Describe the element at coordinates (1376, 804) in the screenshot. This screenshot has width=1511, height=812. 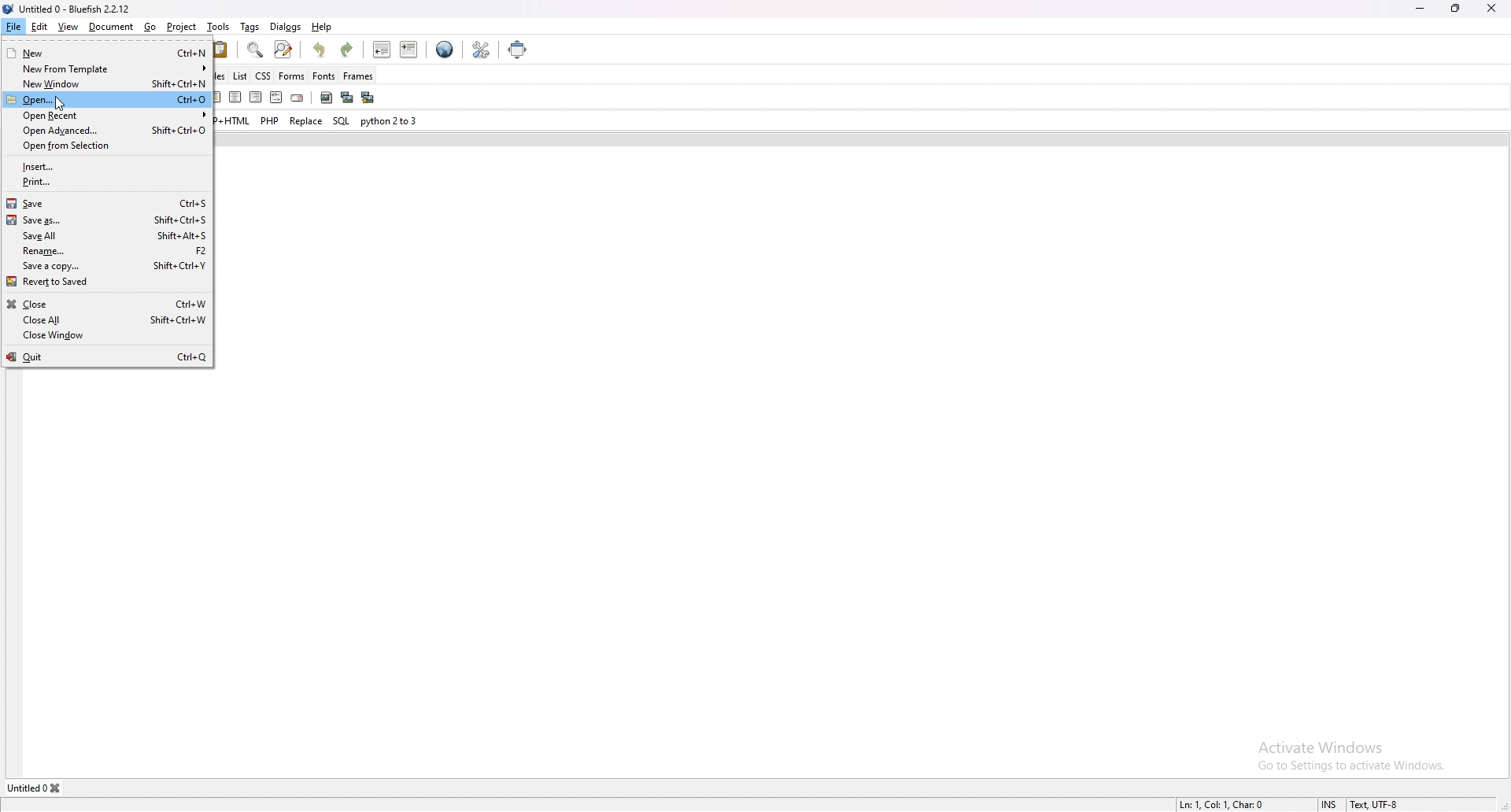
I see `Text, UTF-8` at that location.